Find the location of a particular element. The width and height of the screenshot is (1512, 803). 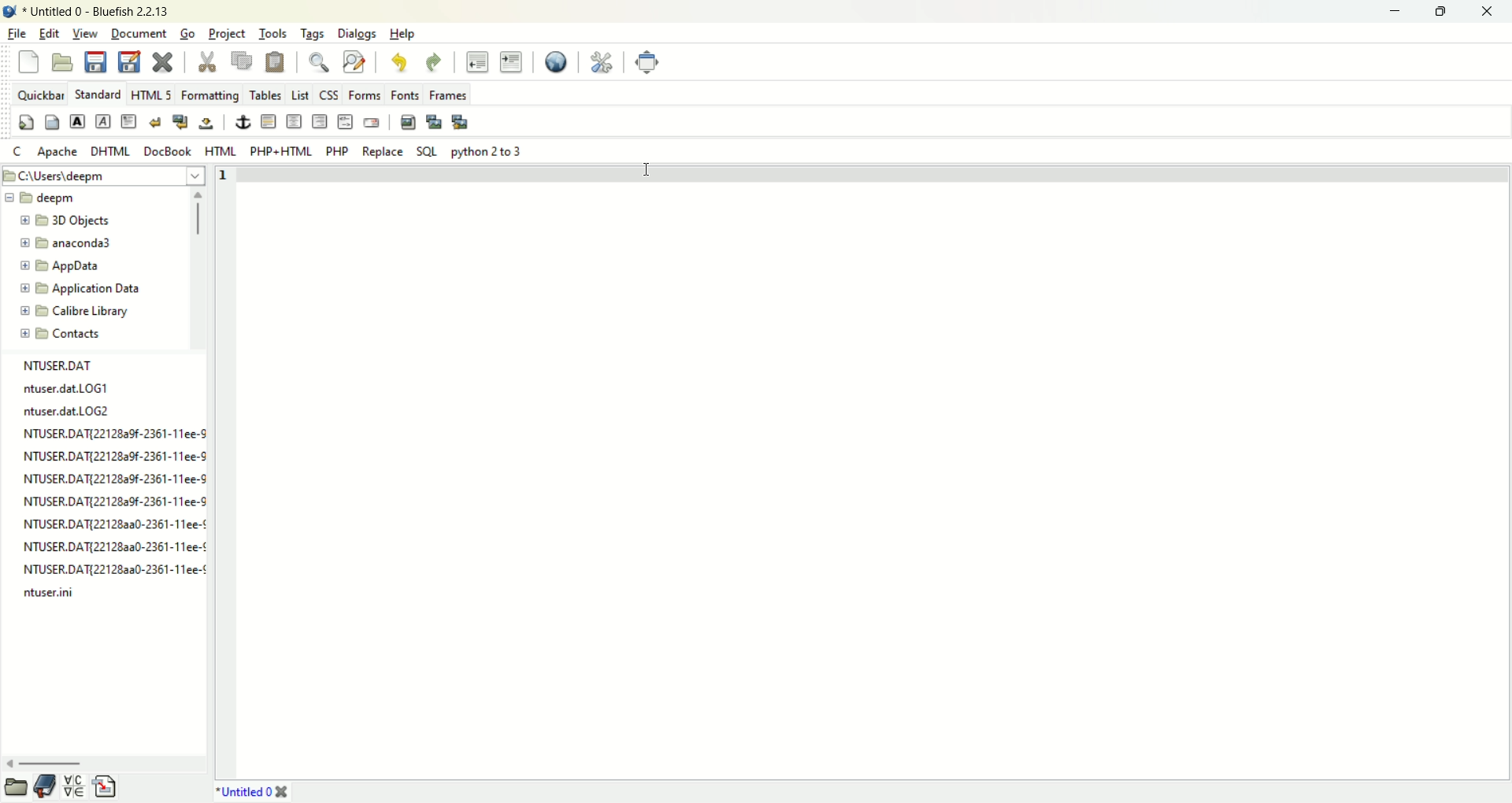

line number is located at coordinates (224, 178).